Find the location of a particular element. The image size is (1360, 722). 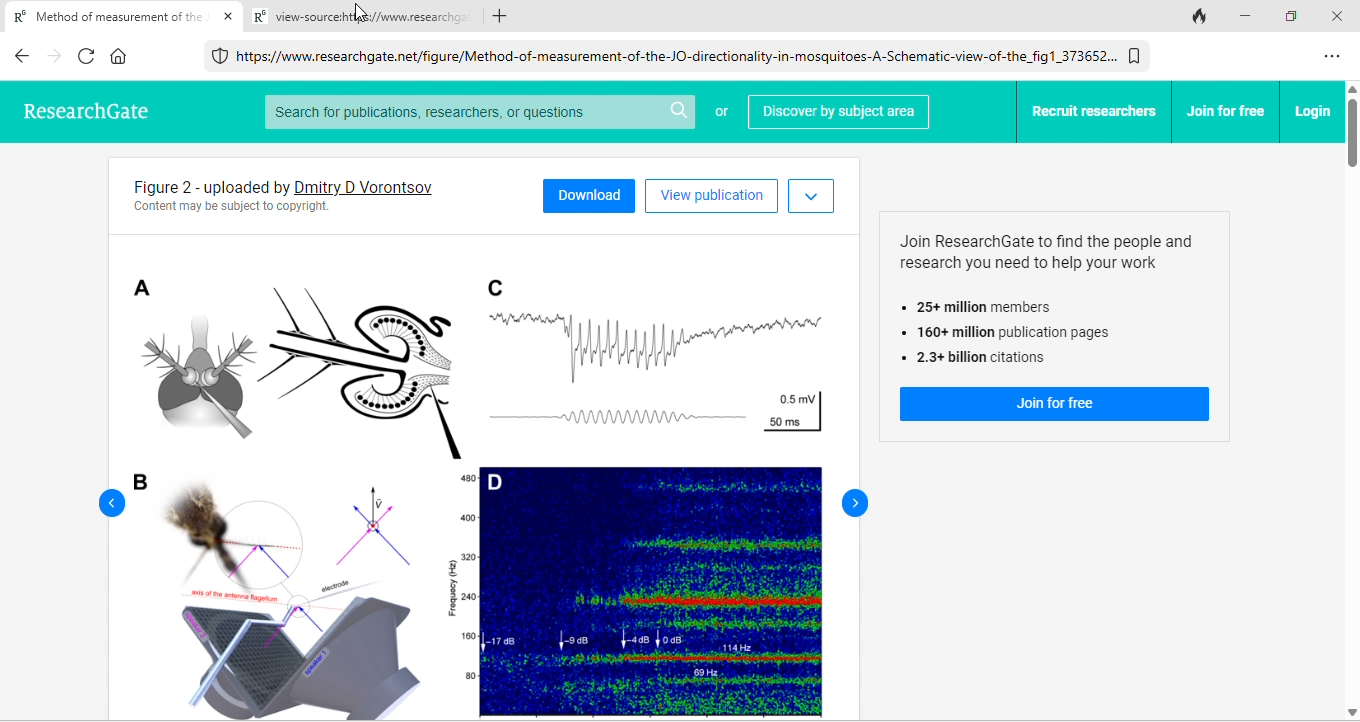

cursor is located at coordinates (362, 12).